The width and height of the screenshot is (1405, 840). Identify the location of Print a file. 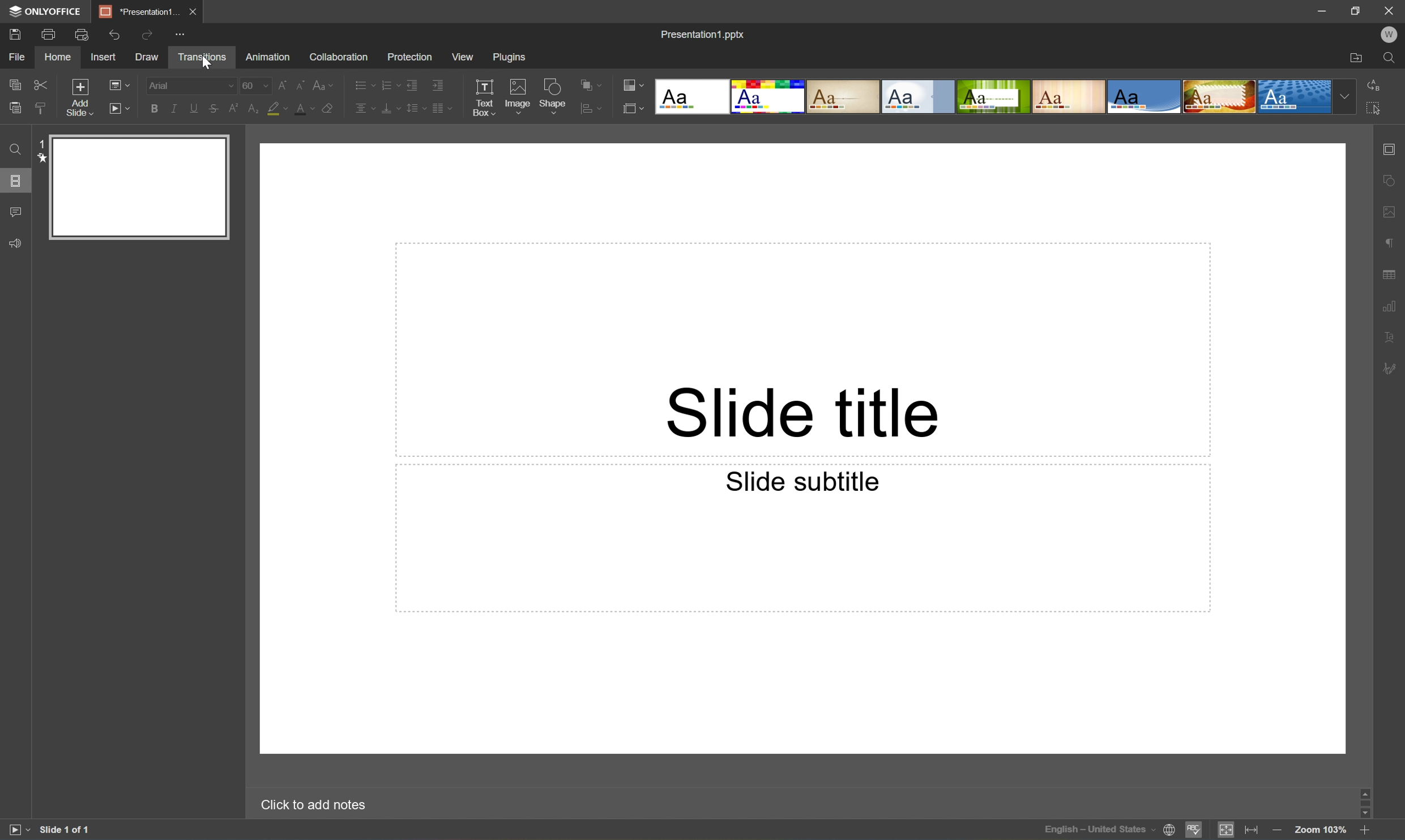
(51, 33).